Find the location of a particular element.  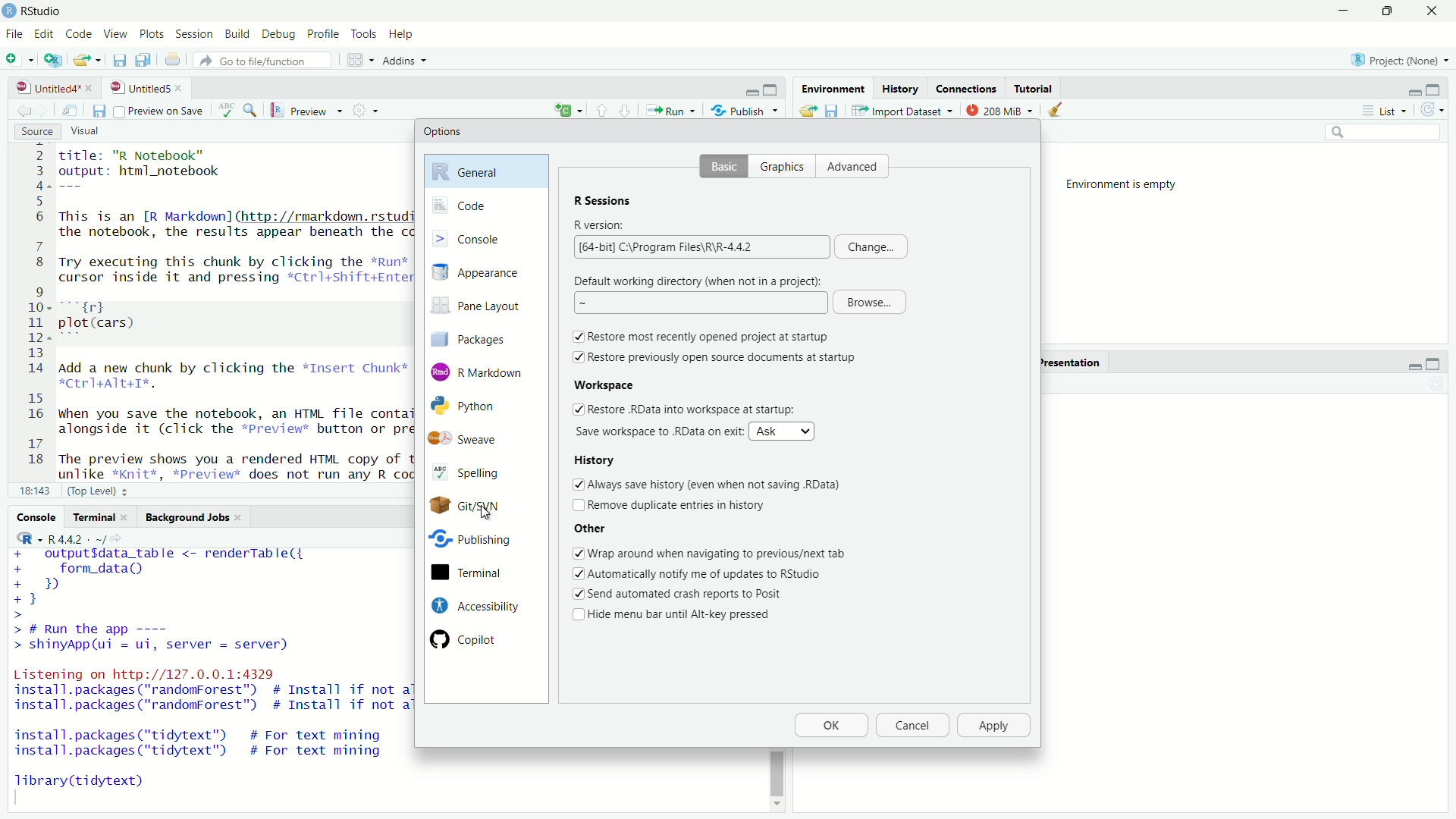

check box is located at coordinates (576, 574).